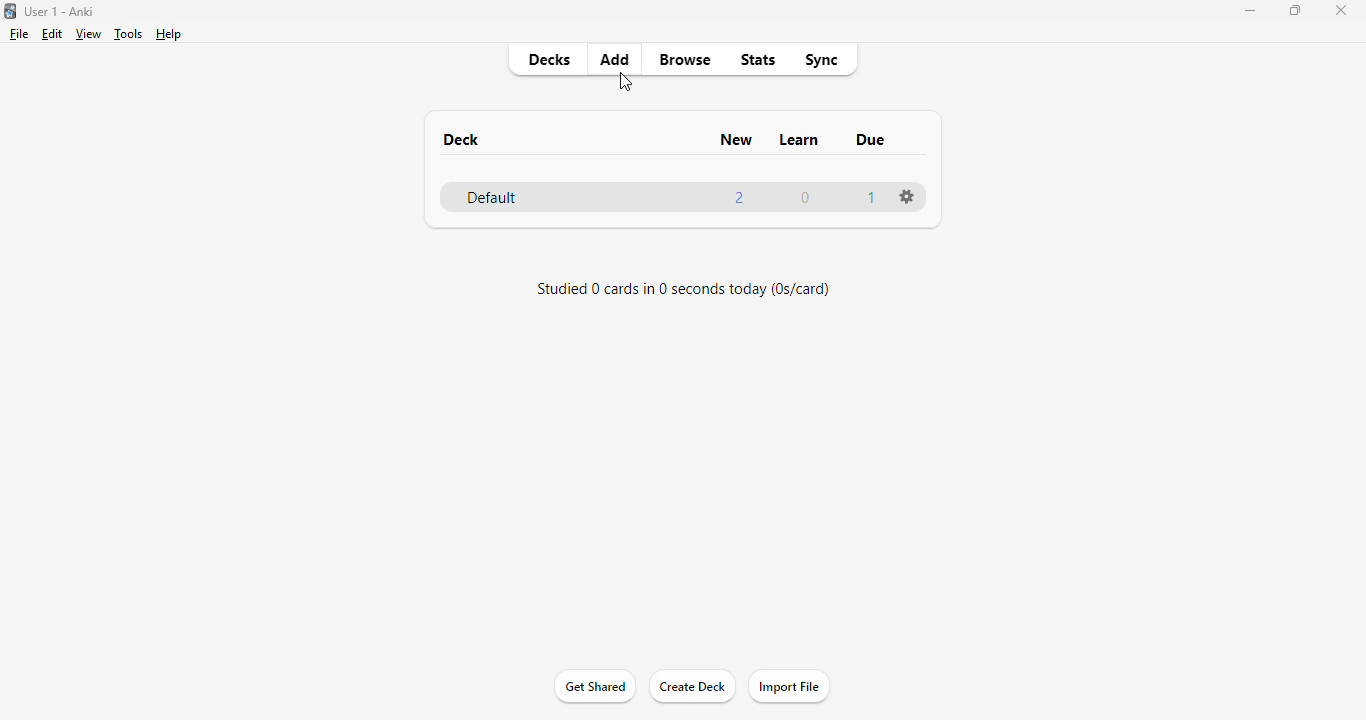  Describe the element at coordinates (1341, 10) in the screenshot. I see `close` at that location.